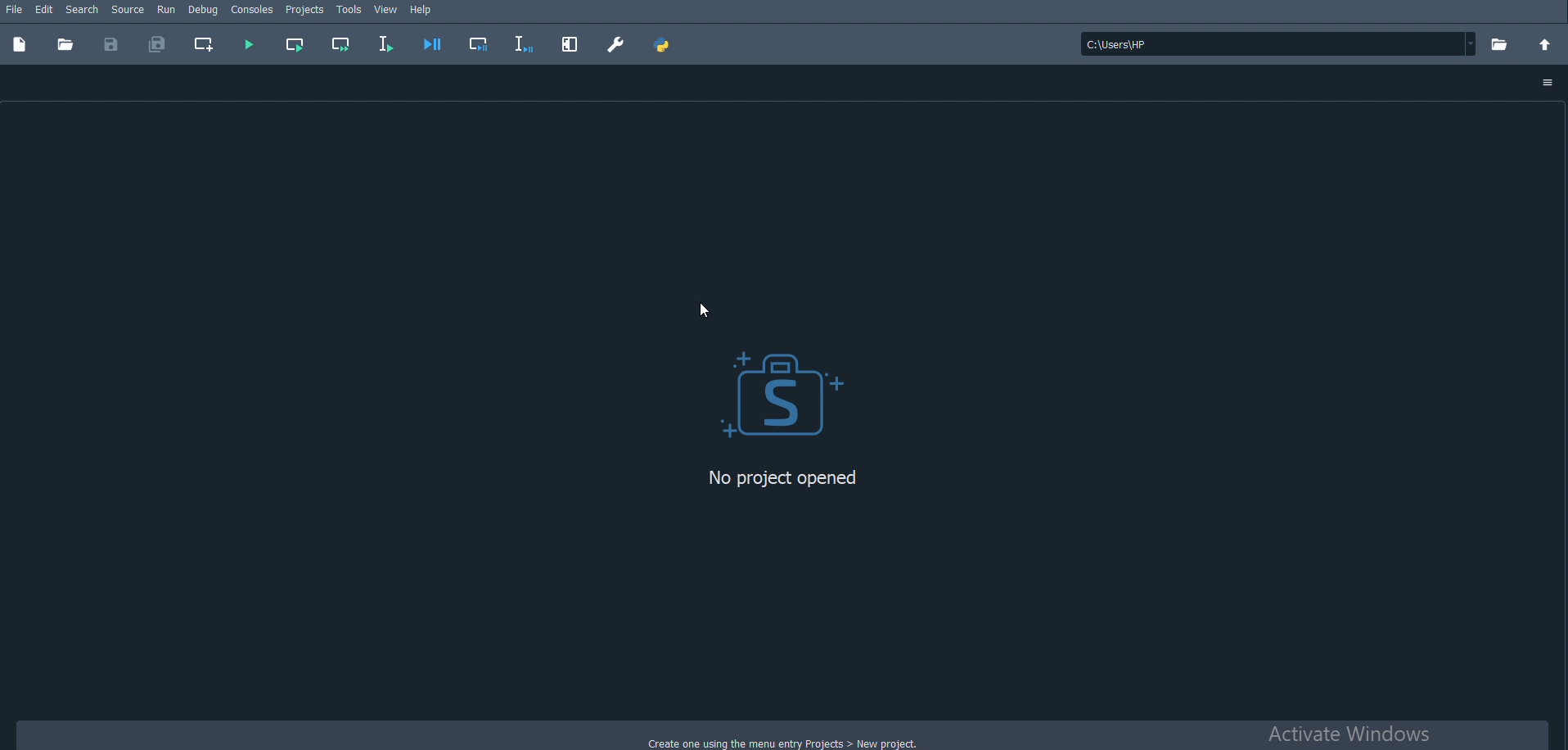  Describe the element at coordinates (435, 43) in the screenshot. I see `Debug file` at that location.